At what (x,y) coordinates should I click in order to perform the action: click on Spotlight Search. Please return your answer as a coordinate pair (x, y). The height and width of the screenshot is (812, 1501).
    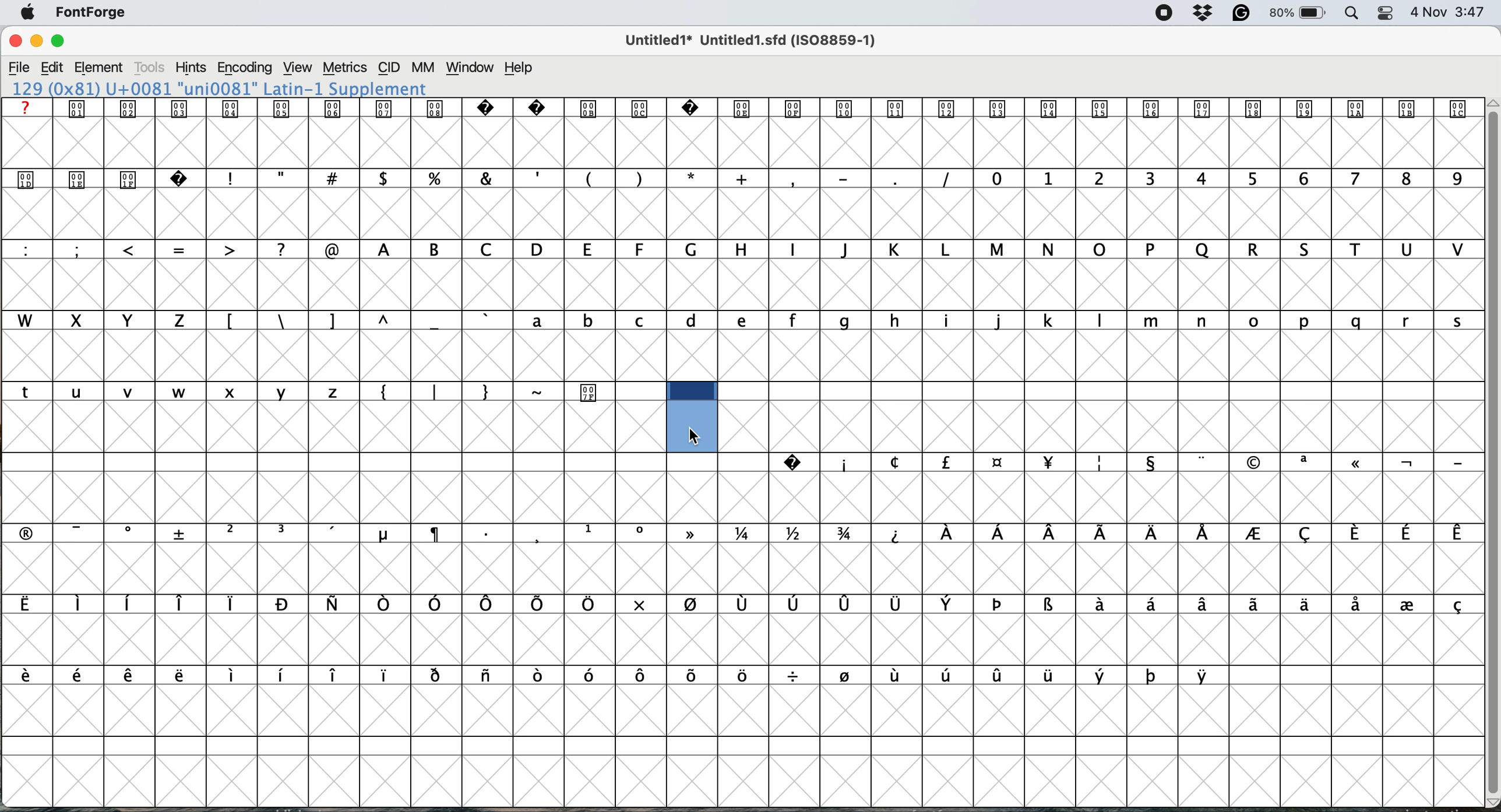
    Looking at the image, I should click on (1352, 14).